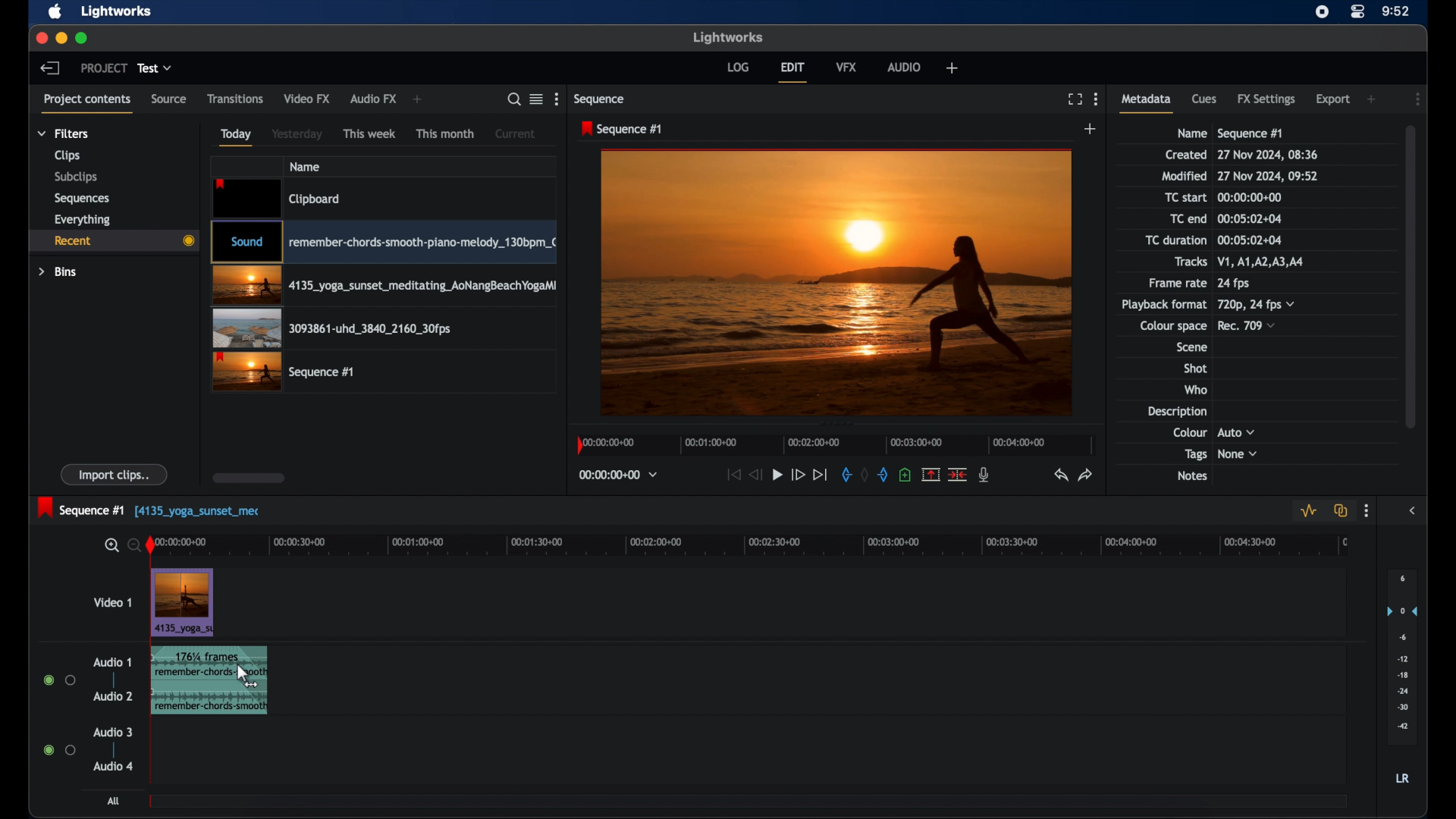 Image resolution: width=1456 pixels, height=819 pixels. I want to click on fast forward, so click(798, 475).